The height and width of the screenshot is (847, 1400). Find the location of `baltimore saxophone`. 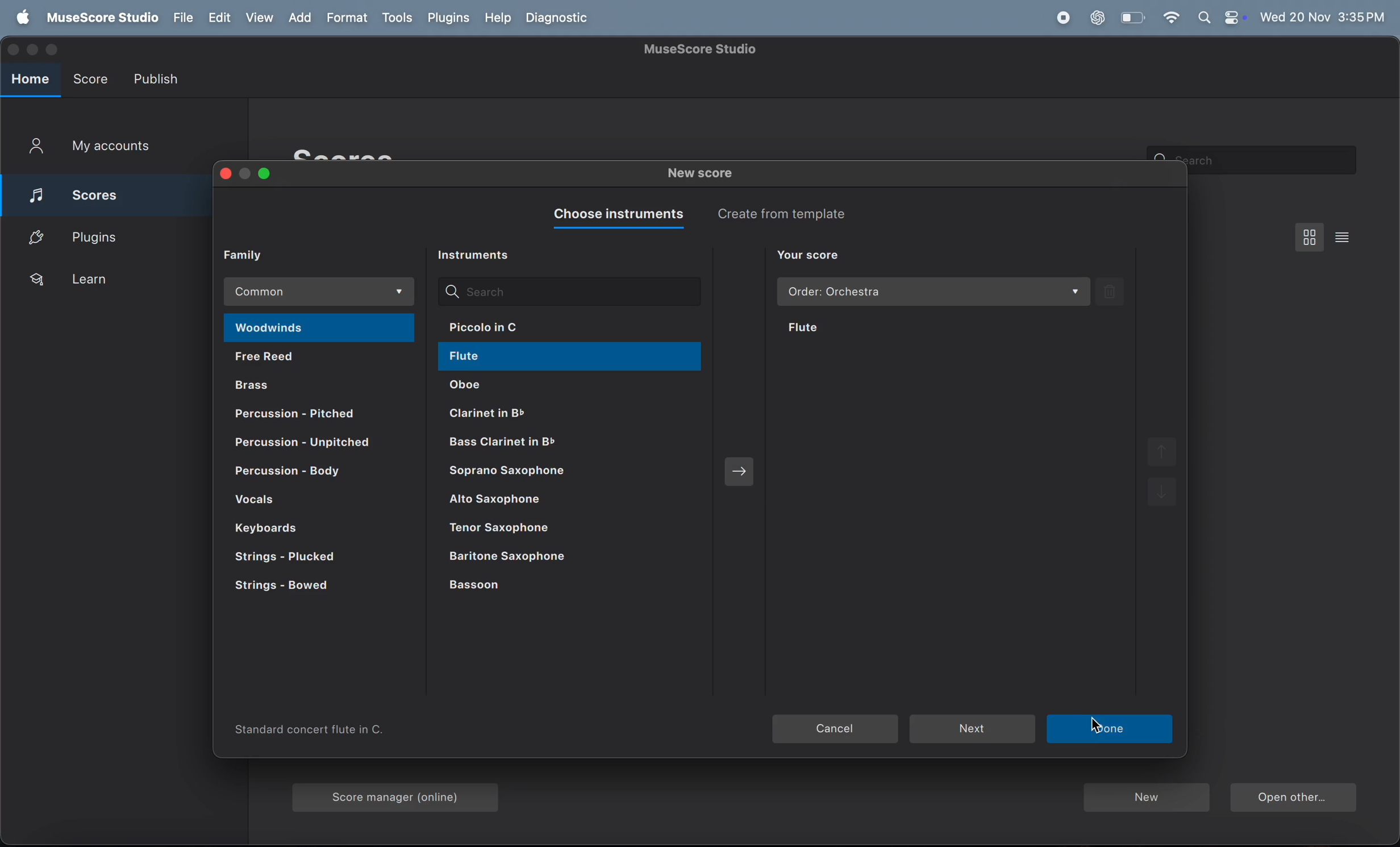

baltimore saxophone is located at coordinates (557, 557).